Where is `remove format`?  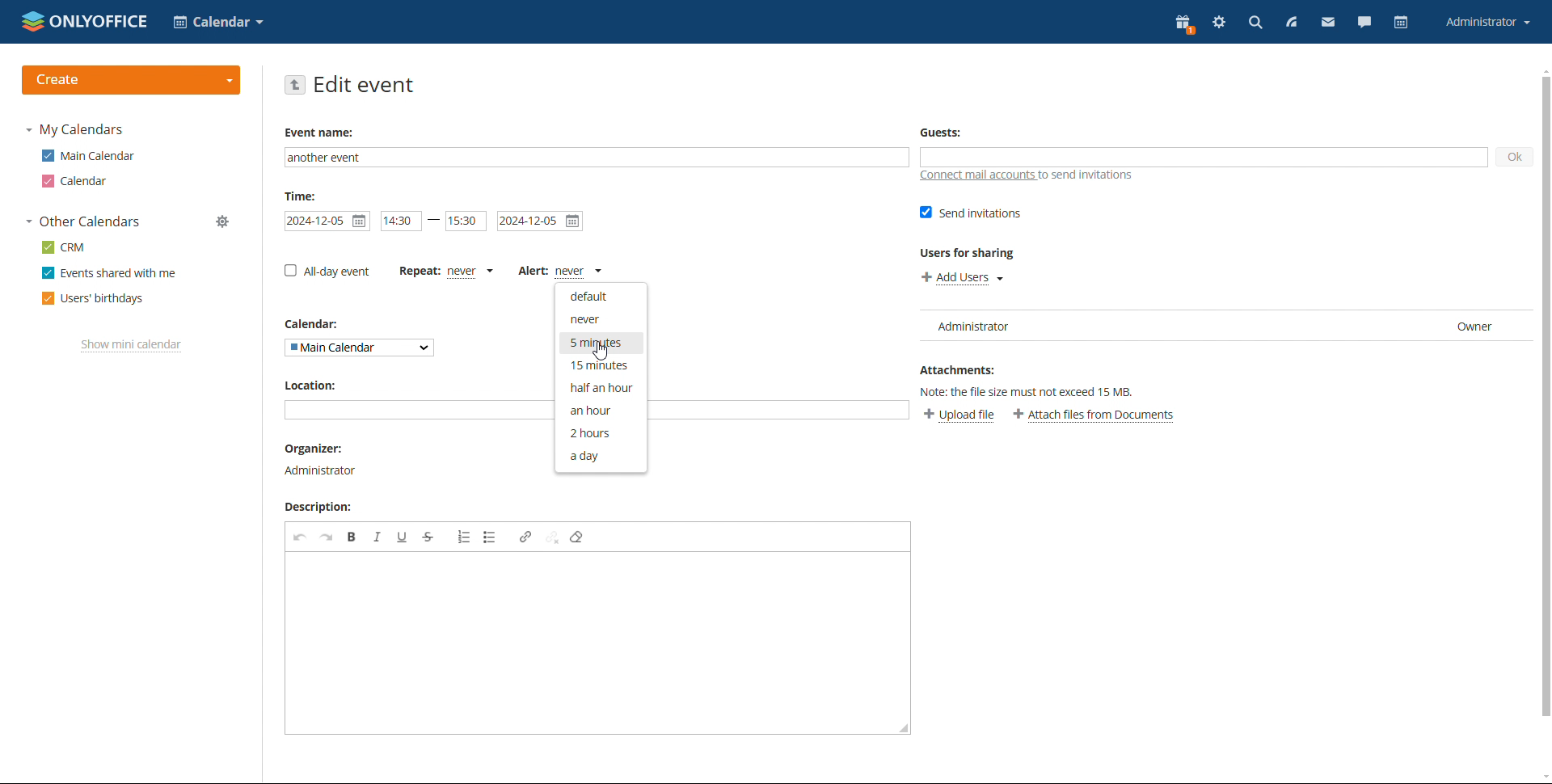
remove format is located at coordinates (577, 537).